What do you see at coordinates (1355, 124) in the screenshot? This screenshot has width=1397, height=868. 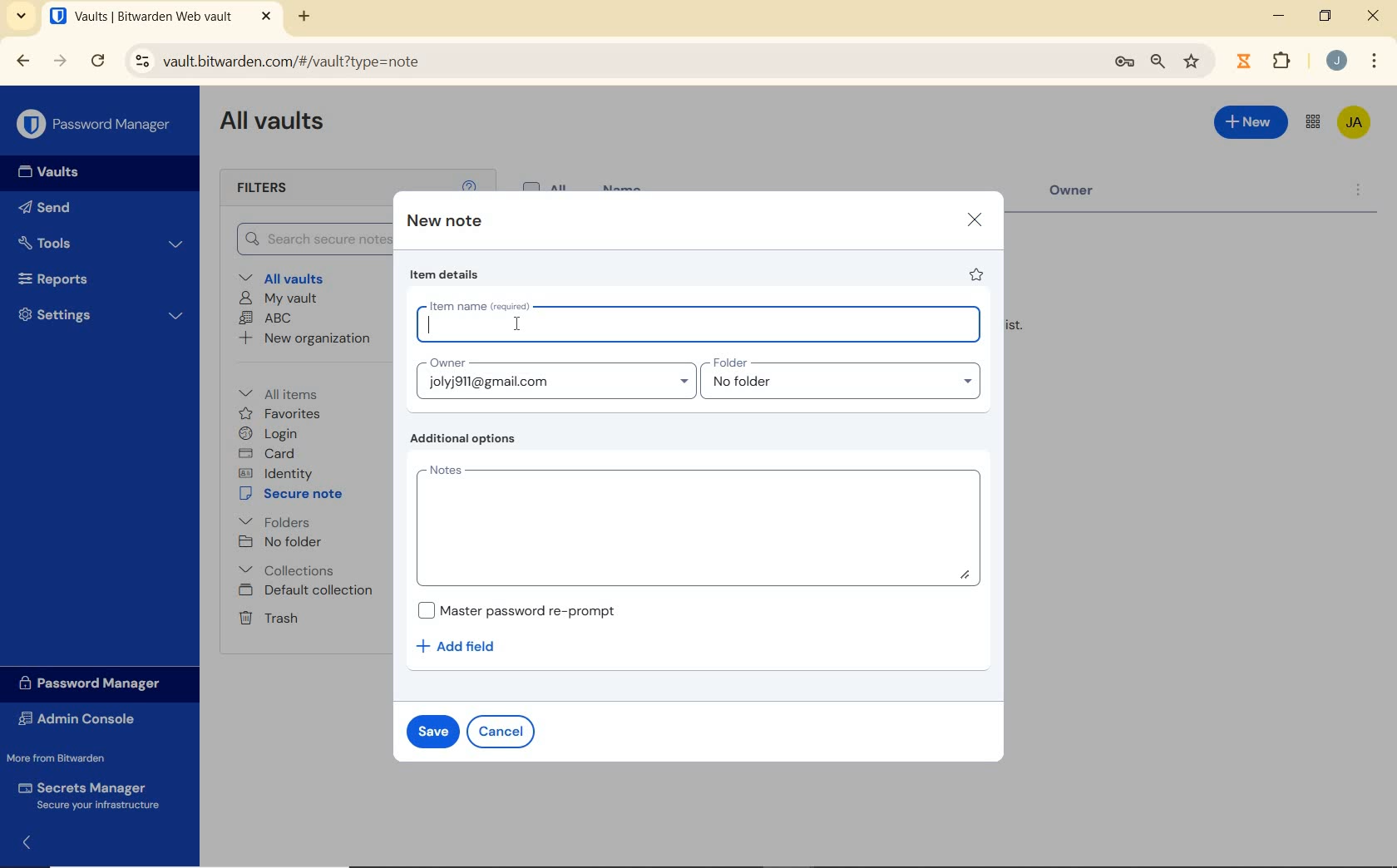 I see `Bitwarden Account` at bounding box center [1355, 124].